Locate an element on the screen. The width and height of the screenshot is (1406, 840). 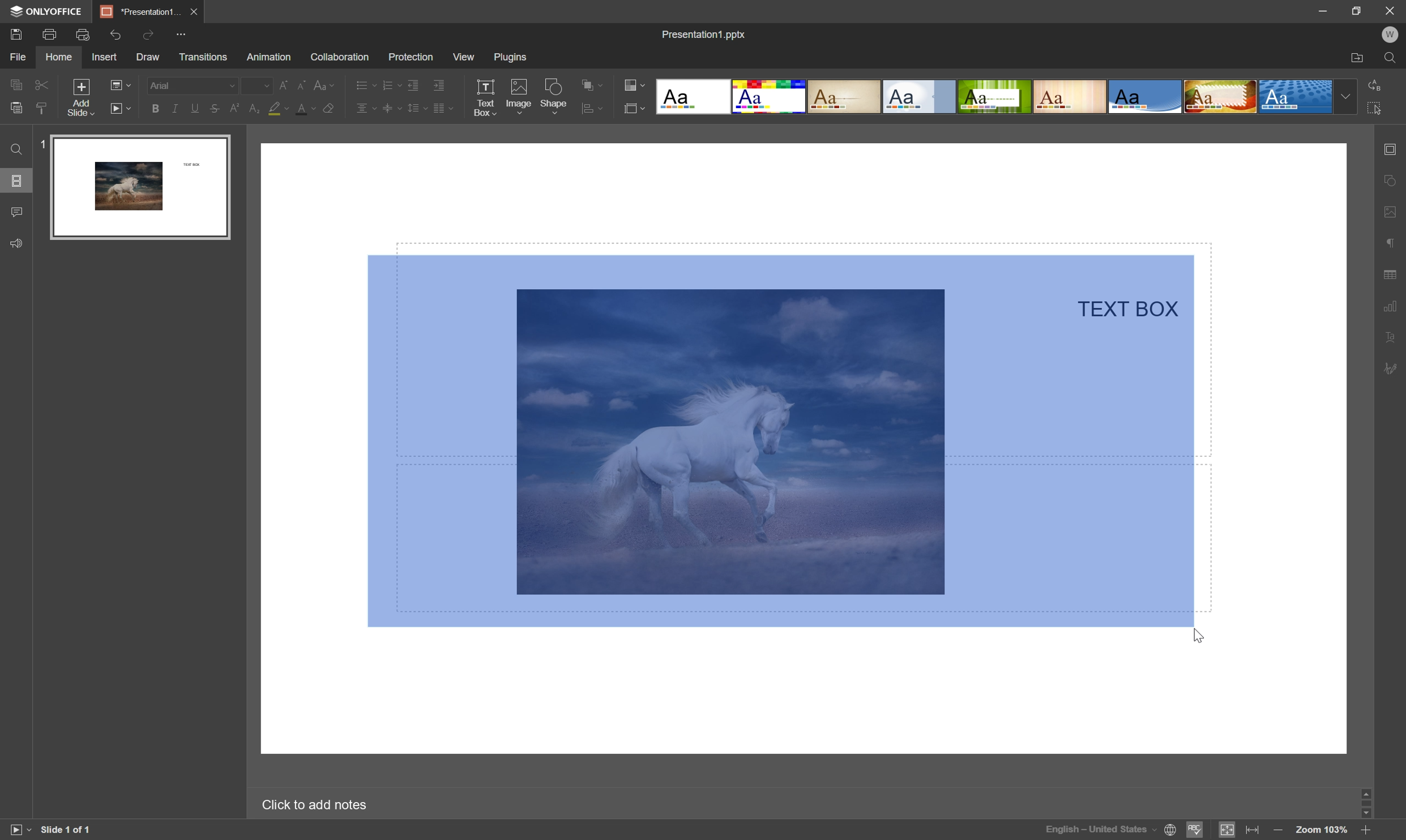
text box is located at coordinates (485, 98).